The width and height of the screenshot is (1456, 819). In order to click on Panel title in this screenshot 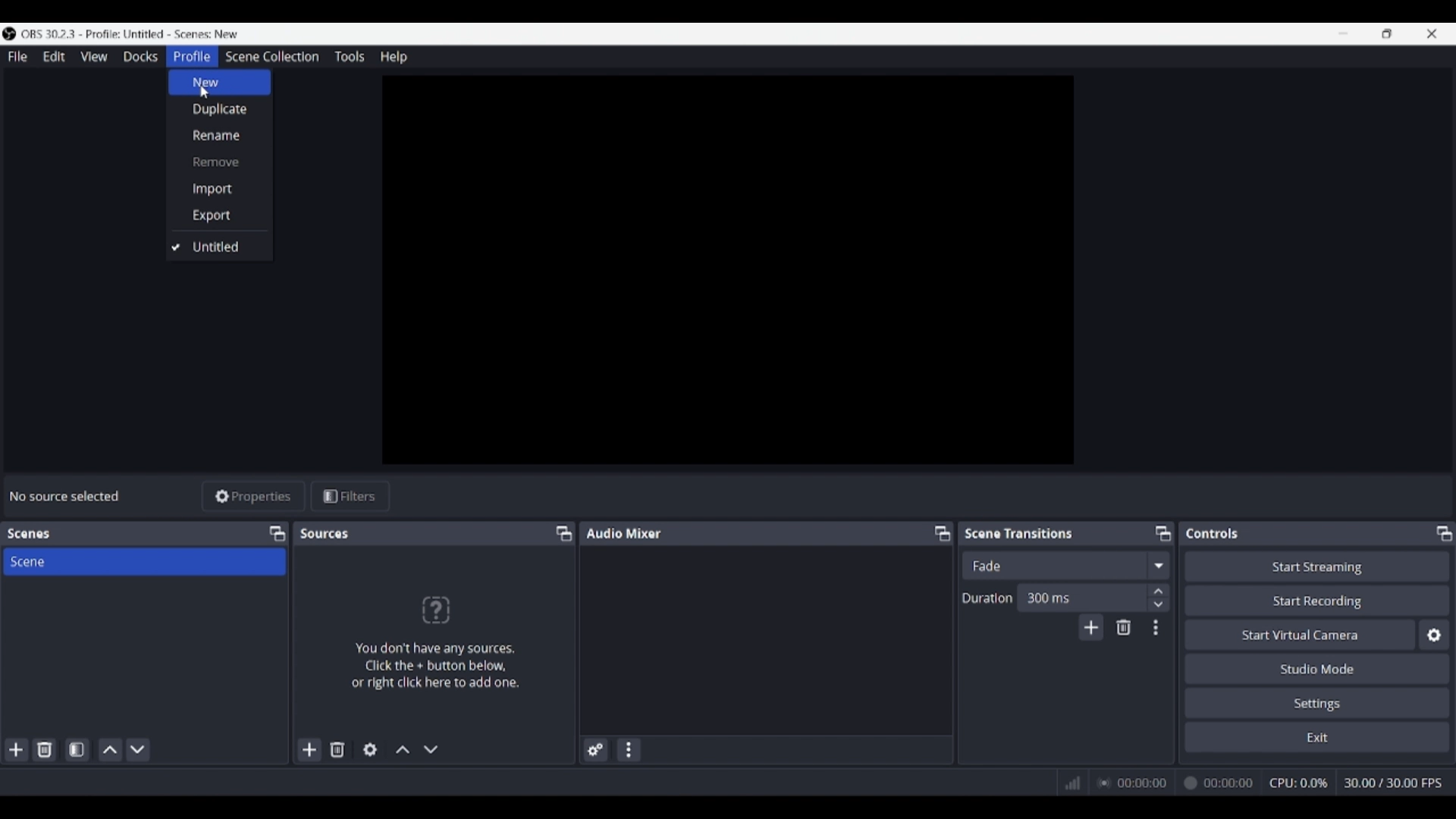, I will do `click(624, 532)`.